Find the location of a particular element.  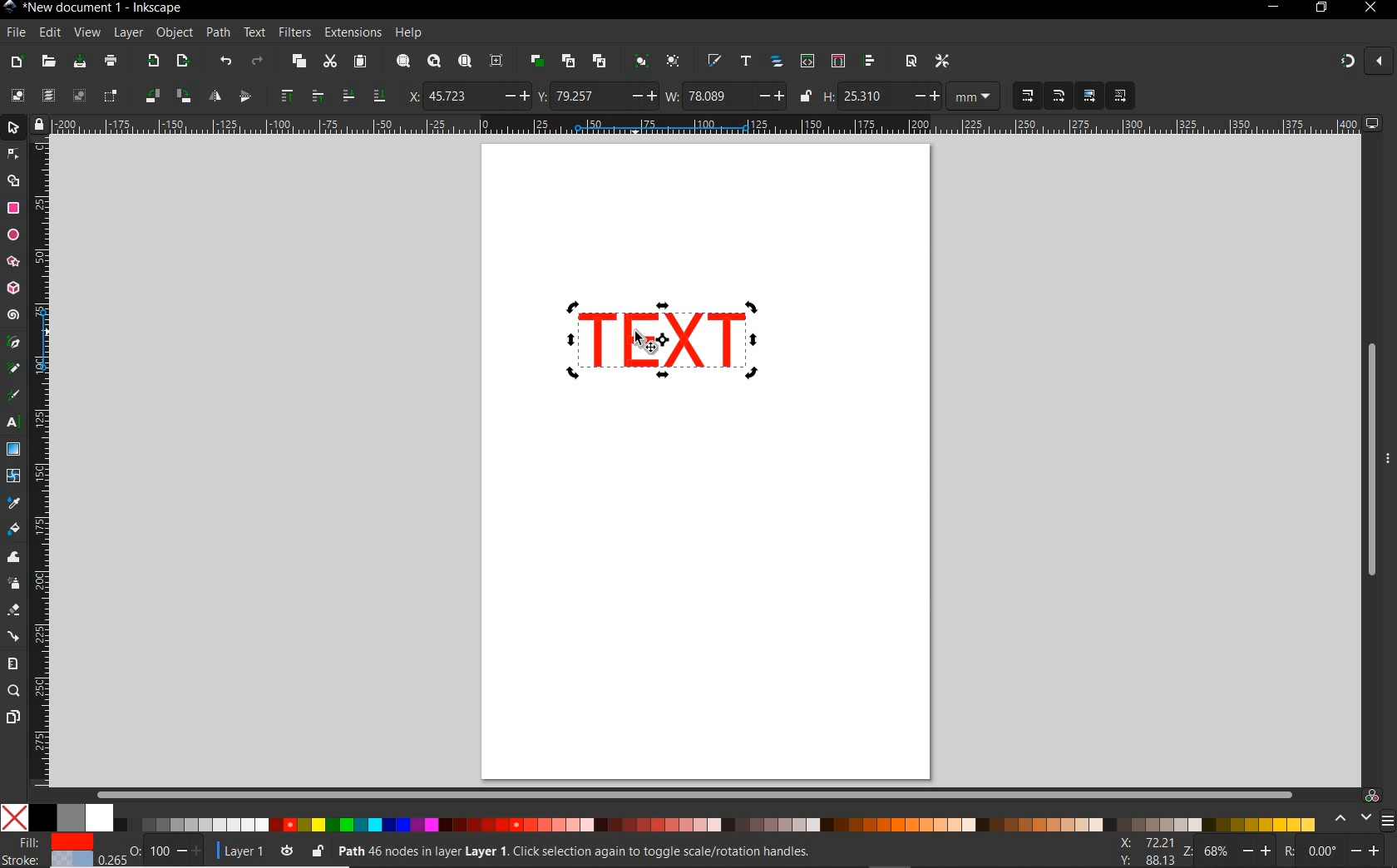

CURRENT LAYER: LAYER 1 is located at coordinates (242, 853).